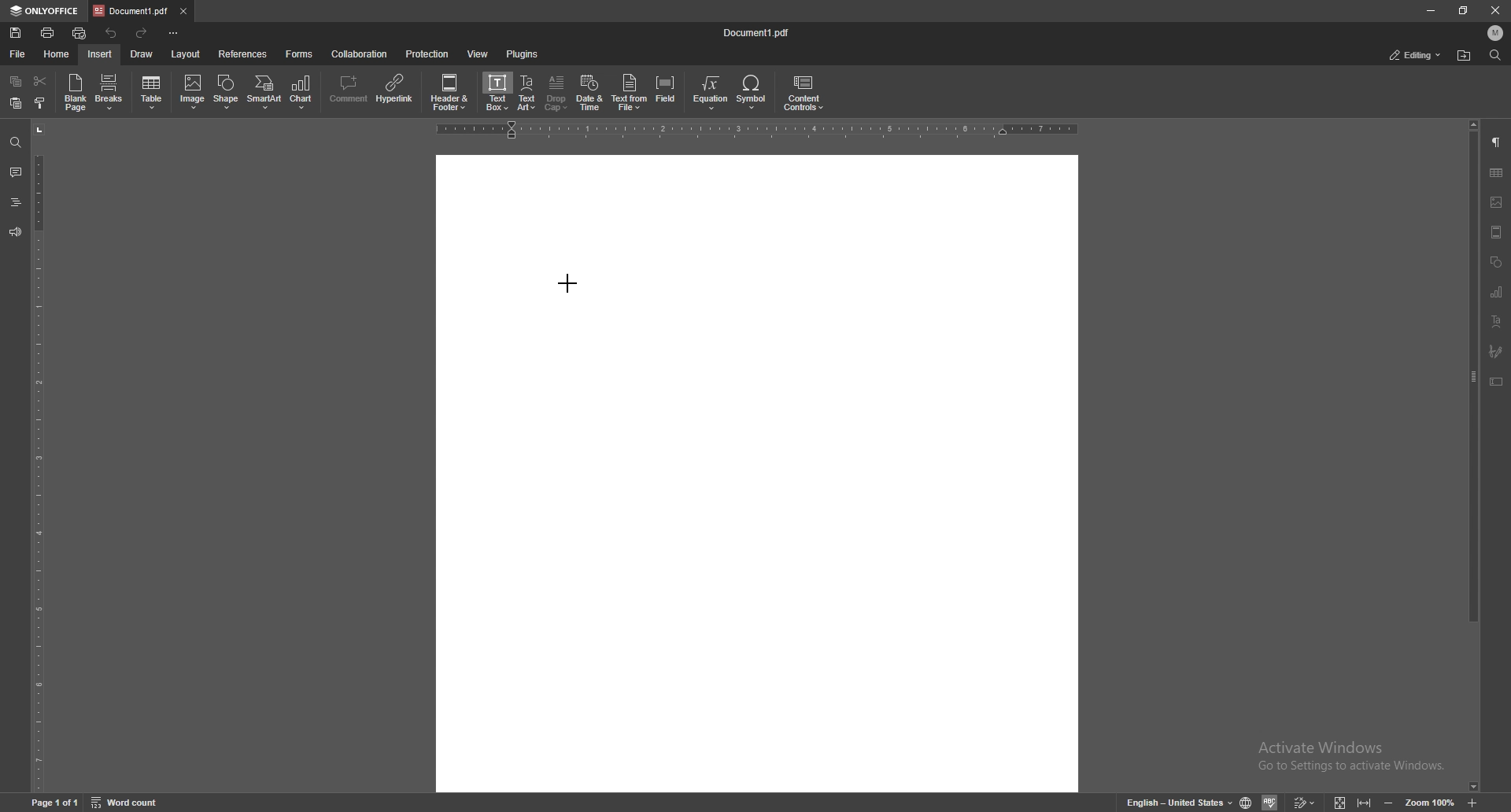  Describe the element at coordinates (427, 53) in the screenshot. I see `protection` at that location.